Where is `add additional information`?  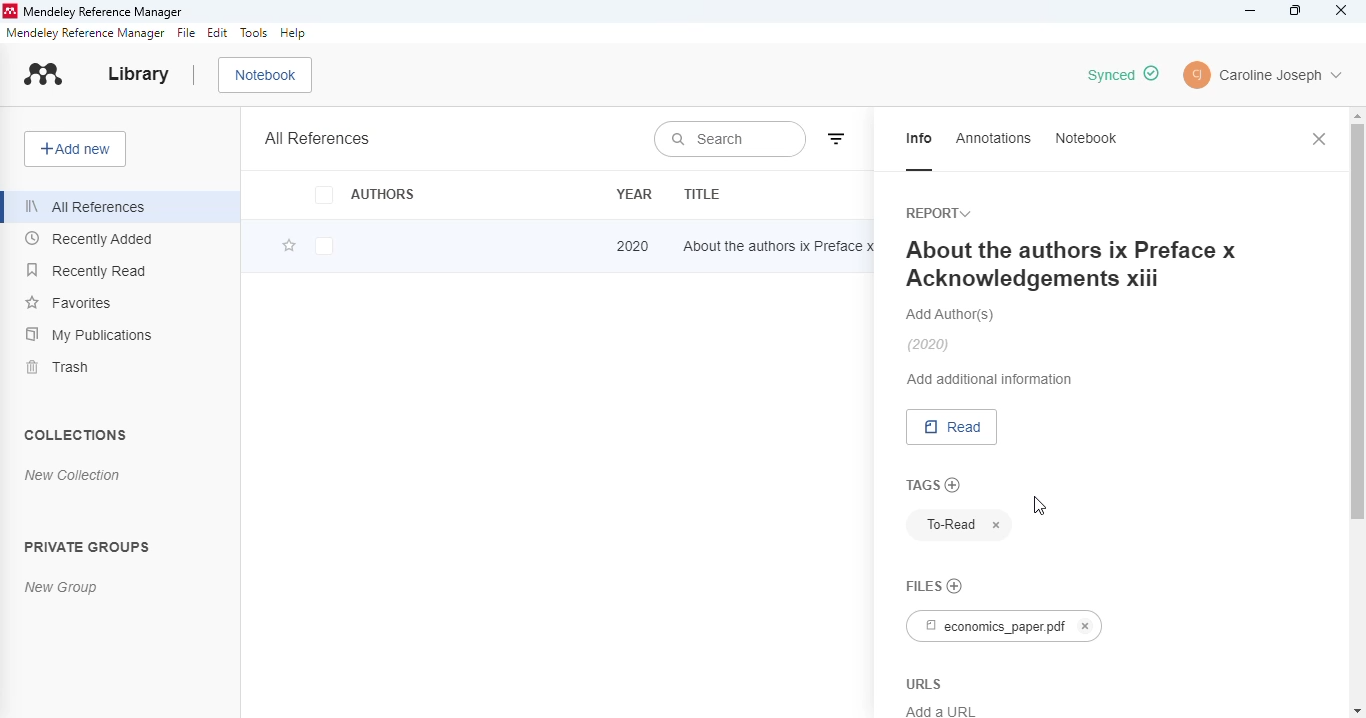
add additional information is located at coordinates (991, 379).